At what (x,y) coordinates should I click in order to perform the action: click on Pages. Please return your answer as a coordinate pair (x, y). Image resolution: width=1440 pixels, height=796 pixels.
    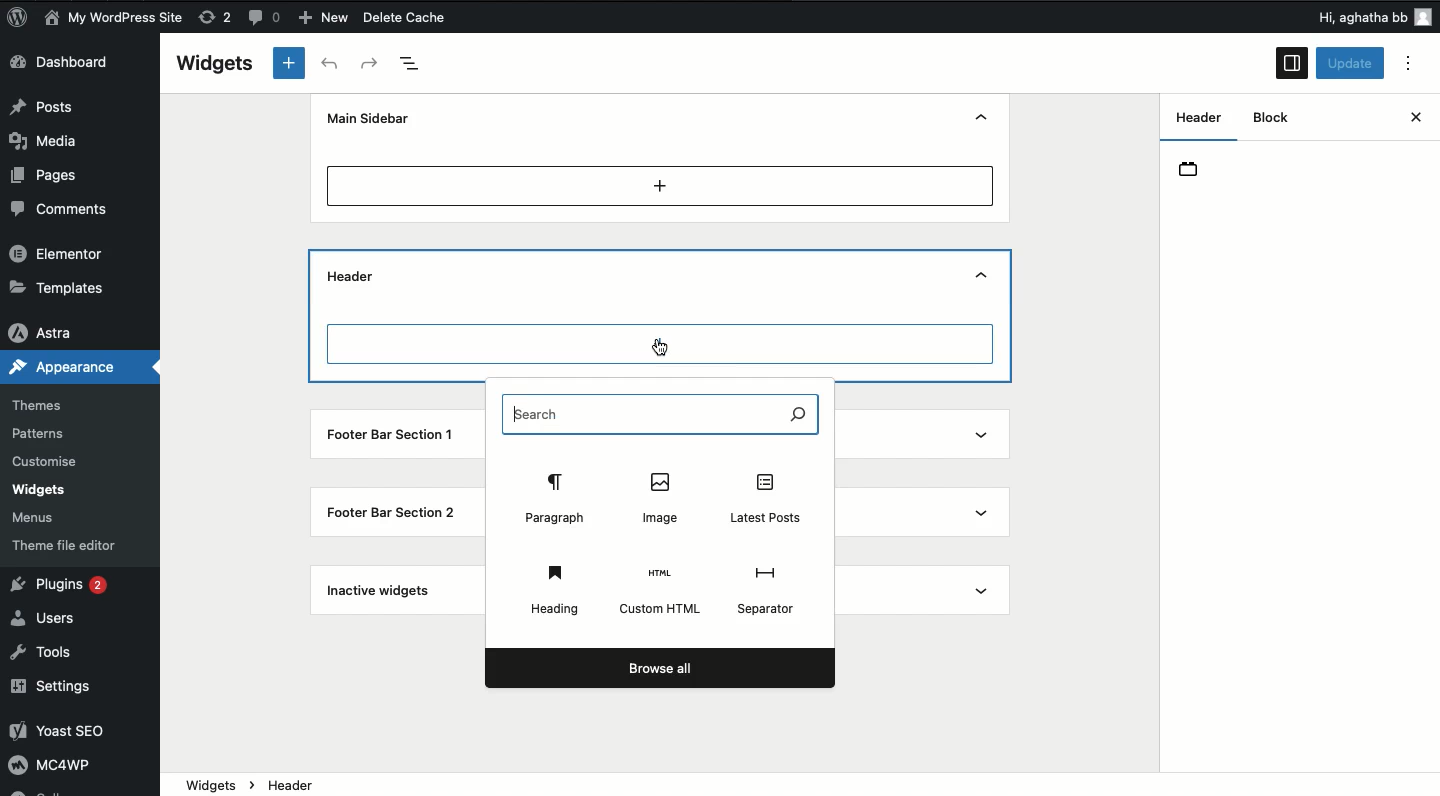
    Looking at the image, I should click on (48, 175).